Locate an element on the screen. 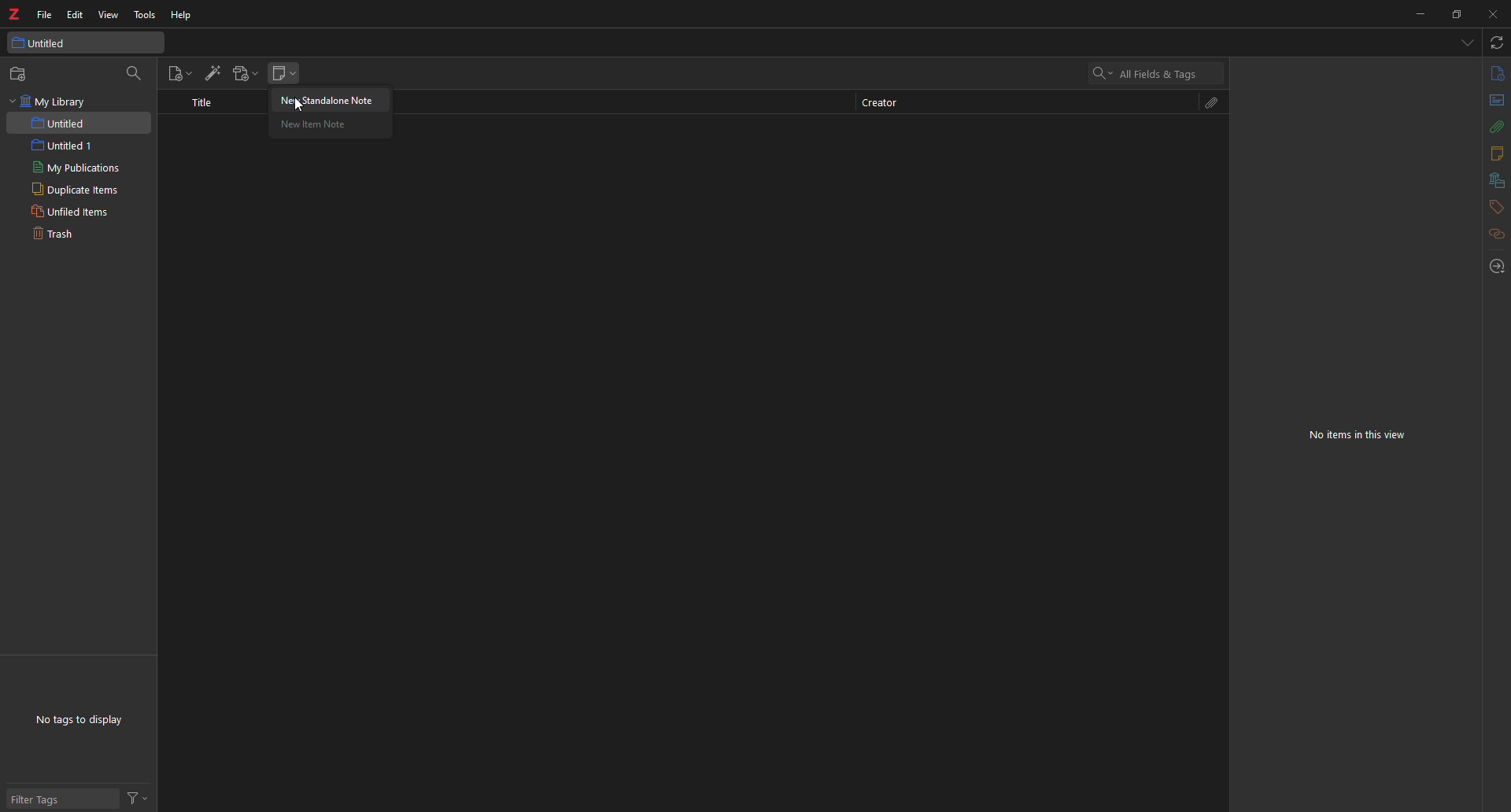  new standalone note is located at coordinates (331, 101).